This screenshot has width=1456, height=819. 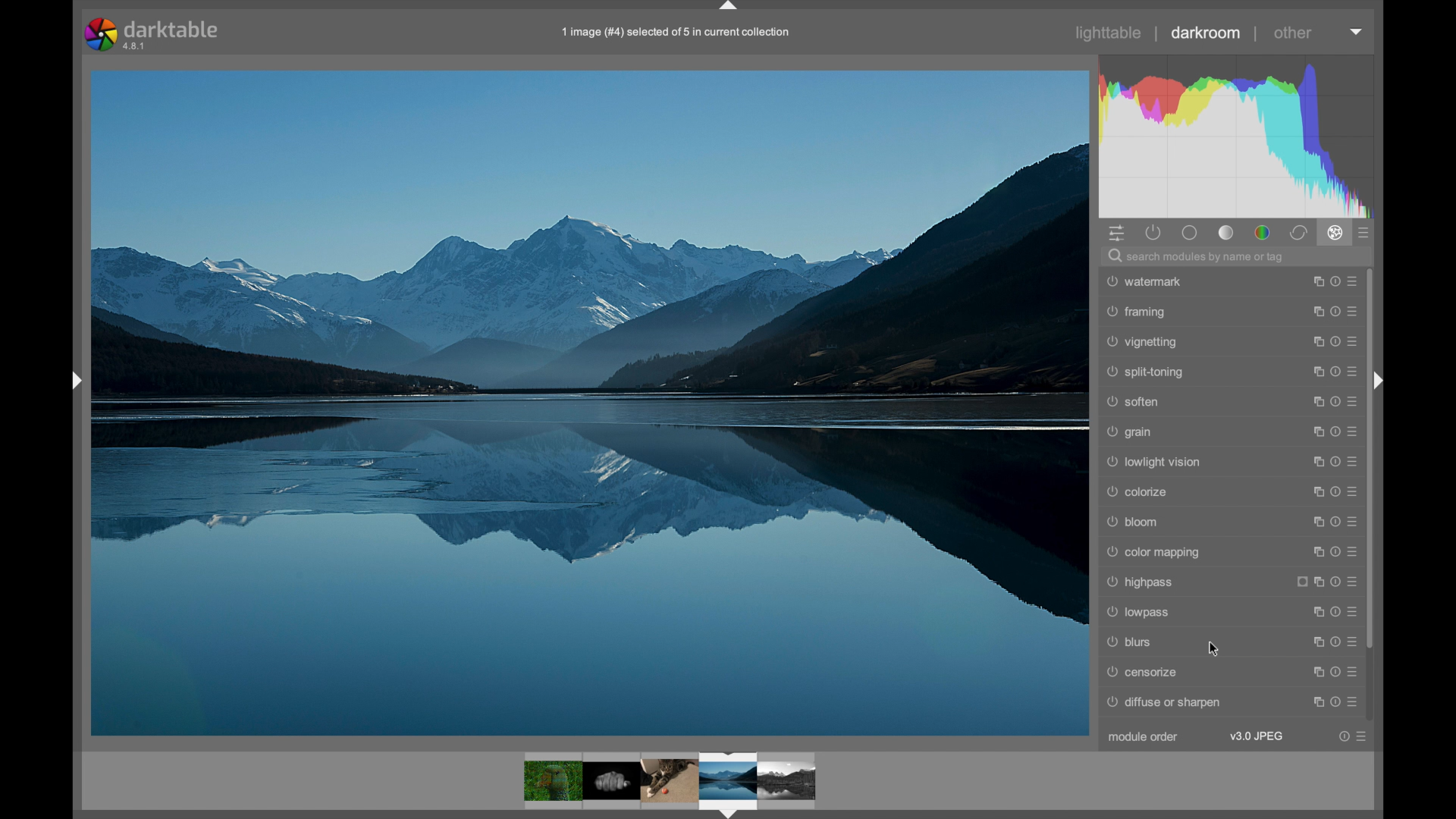 I want to click on more options, so click(x=1352, y=642).